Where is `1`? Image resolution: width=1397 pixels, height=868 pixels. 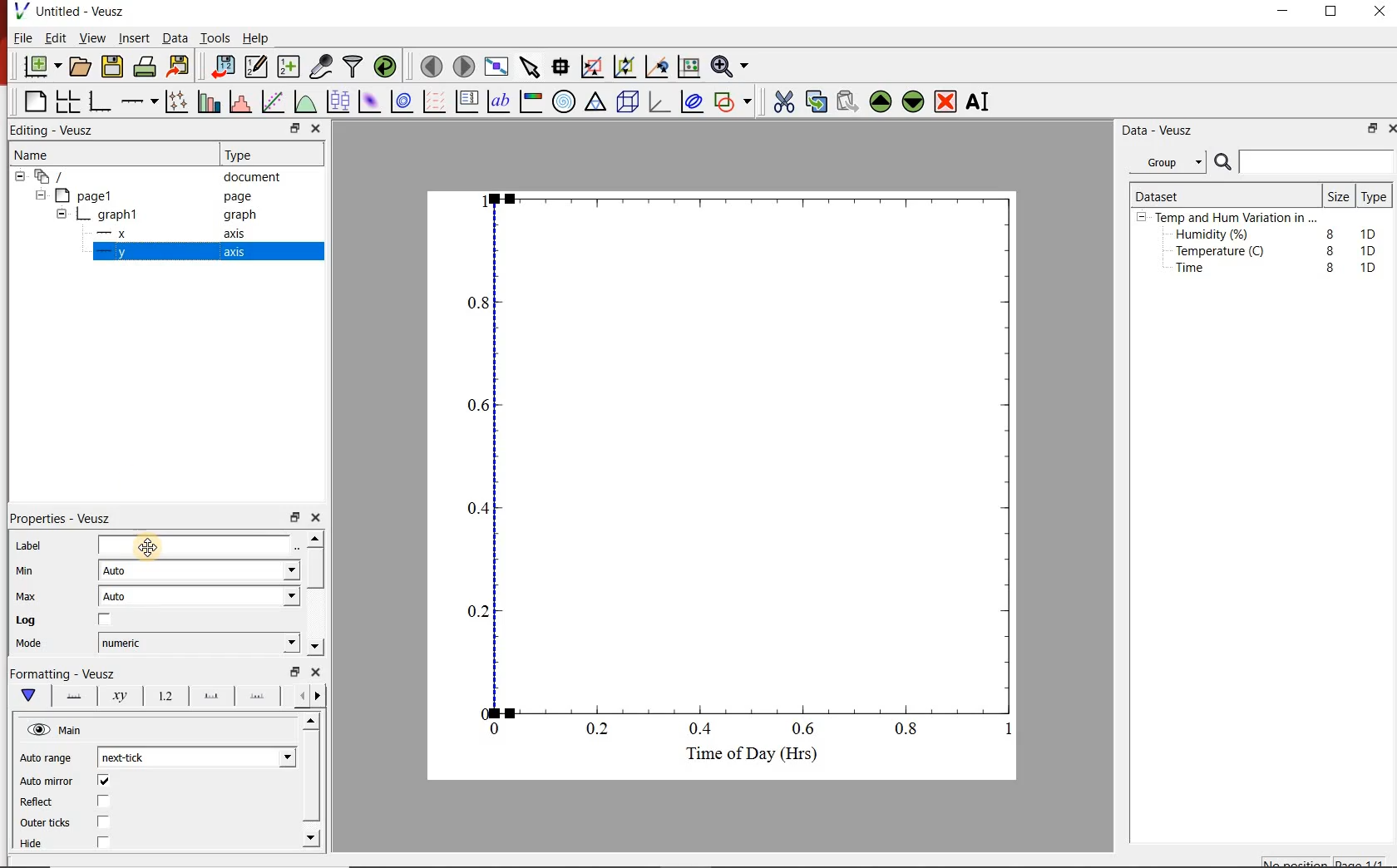 1 is located at coordinates (1003, 732).